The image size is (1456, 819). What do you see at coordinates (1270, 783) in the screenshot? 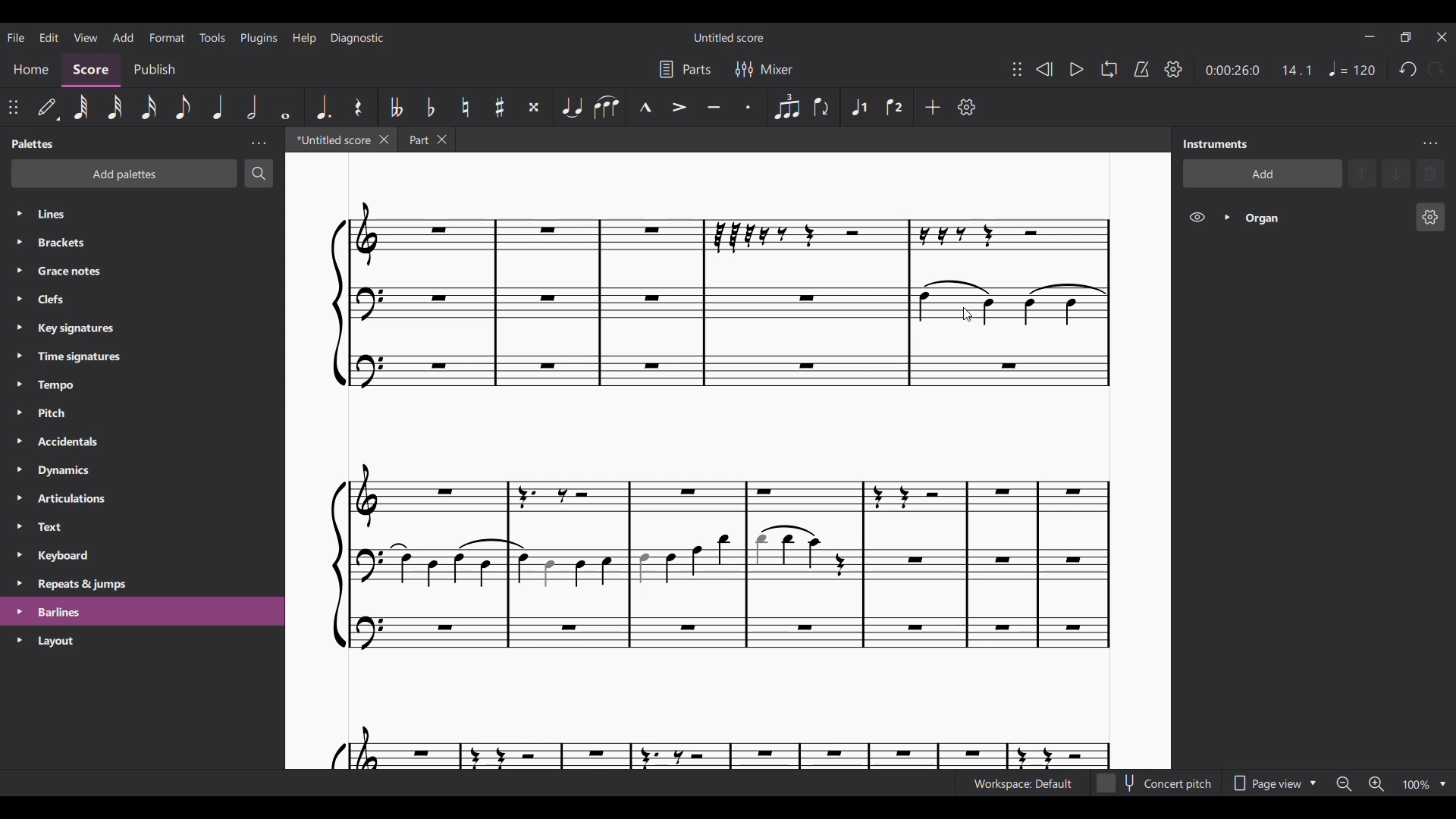
I see `Page view options` at bounding box center [1270, 783].